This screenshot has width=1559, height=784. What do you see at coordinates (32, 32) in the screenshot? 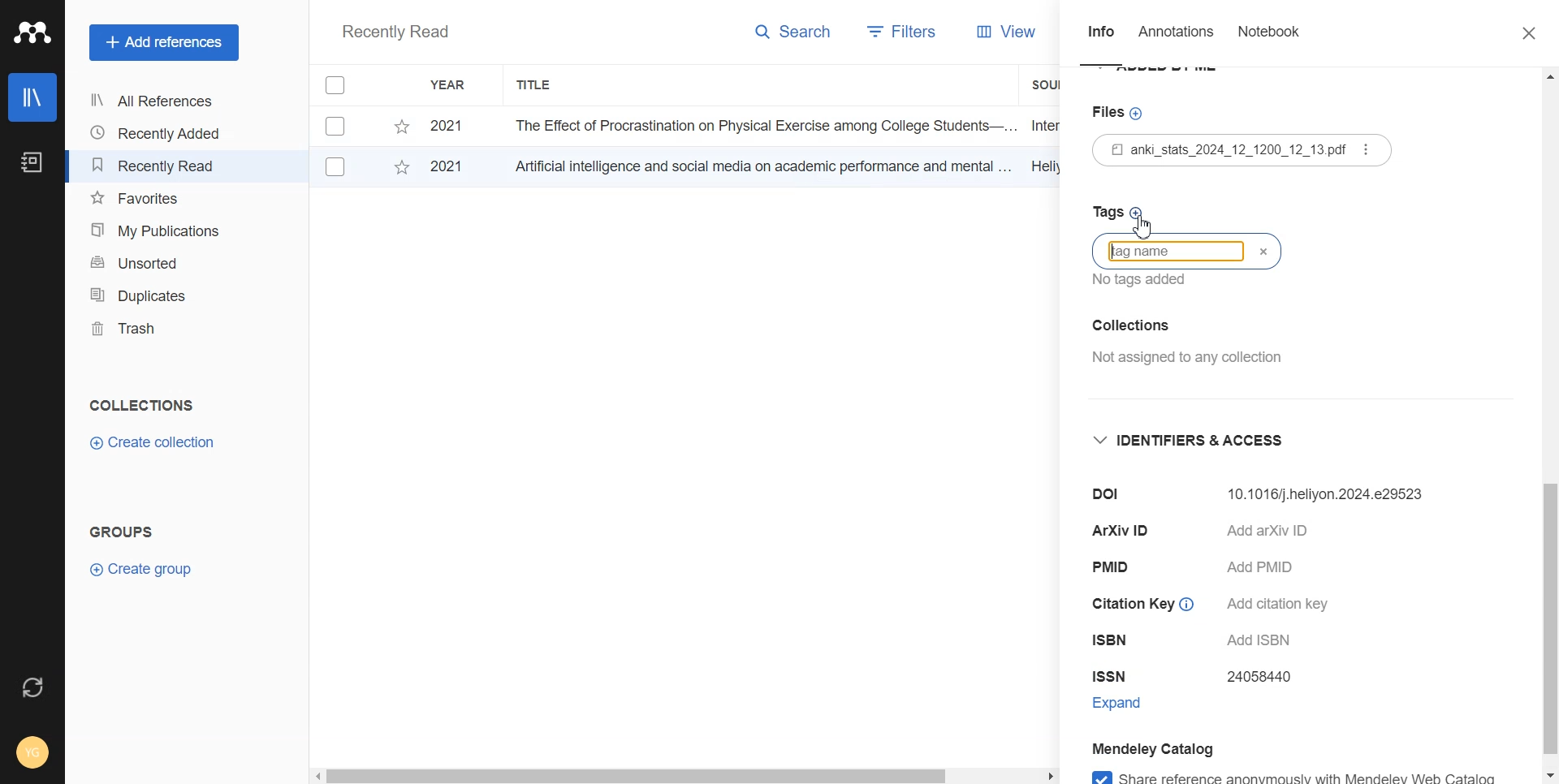
I see `Logo` at bounding box center [32, 32].